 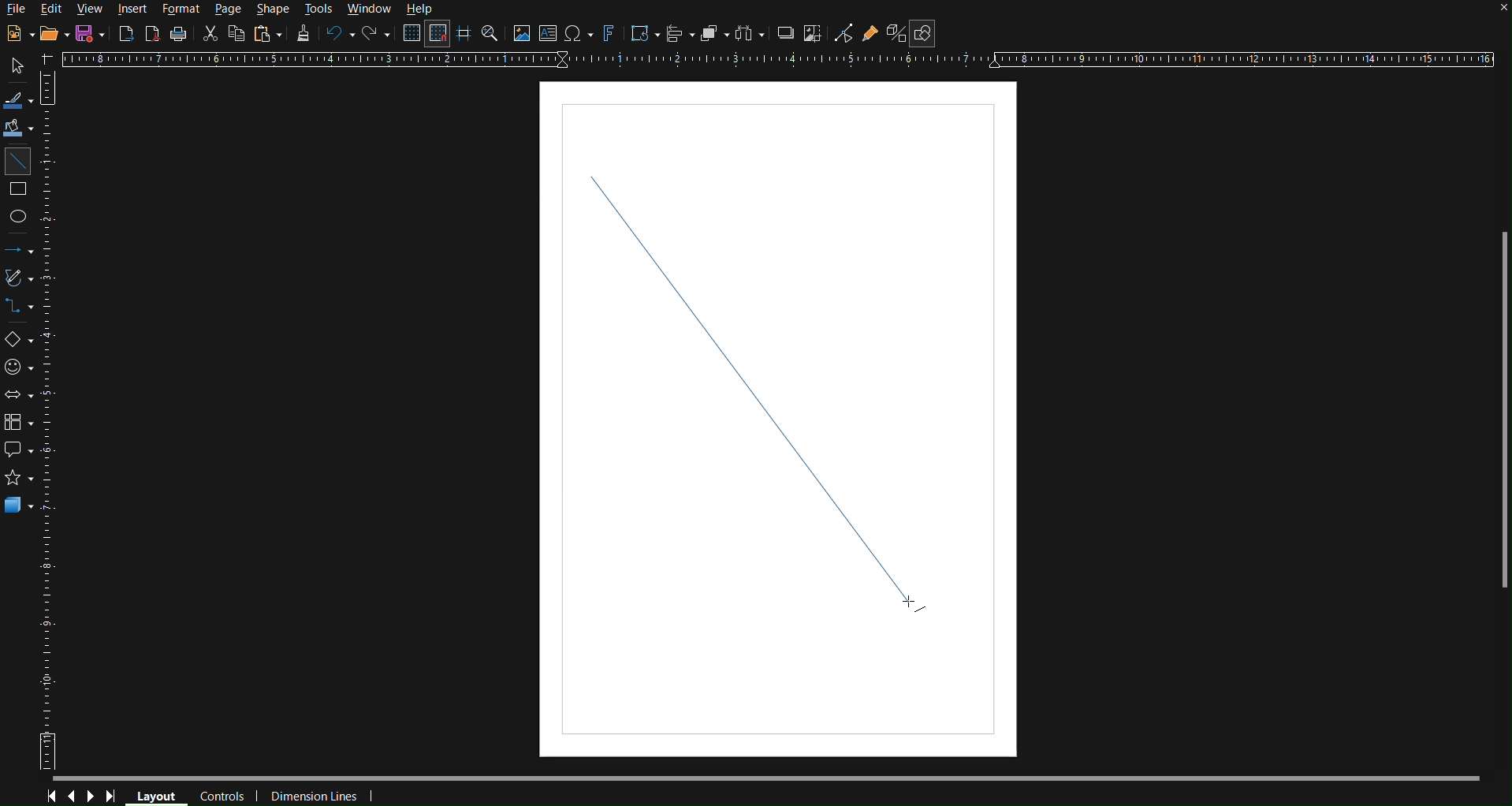 I want to click on , so click(x=13, y=34).